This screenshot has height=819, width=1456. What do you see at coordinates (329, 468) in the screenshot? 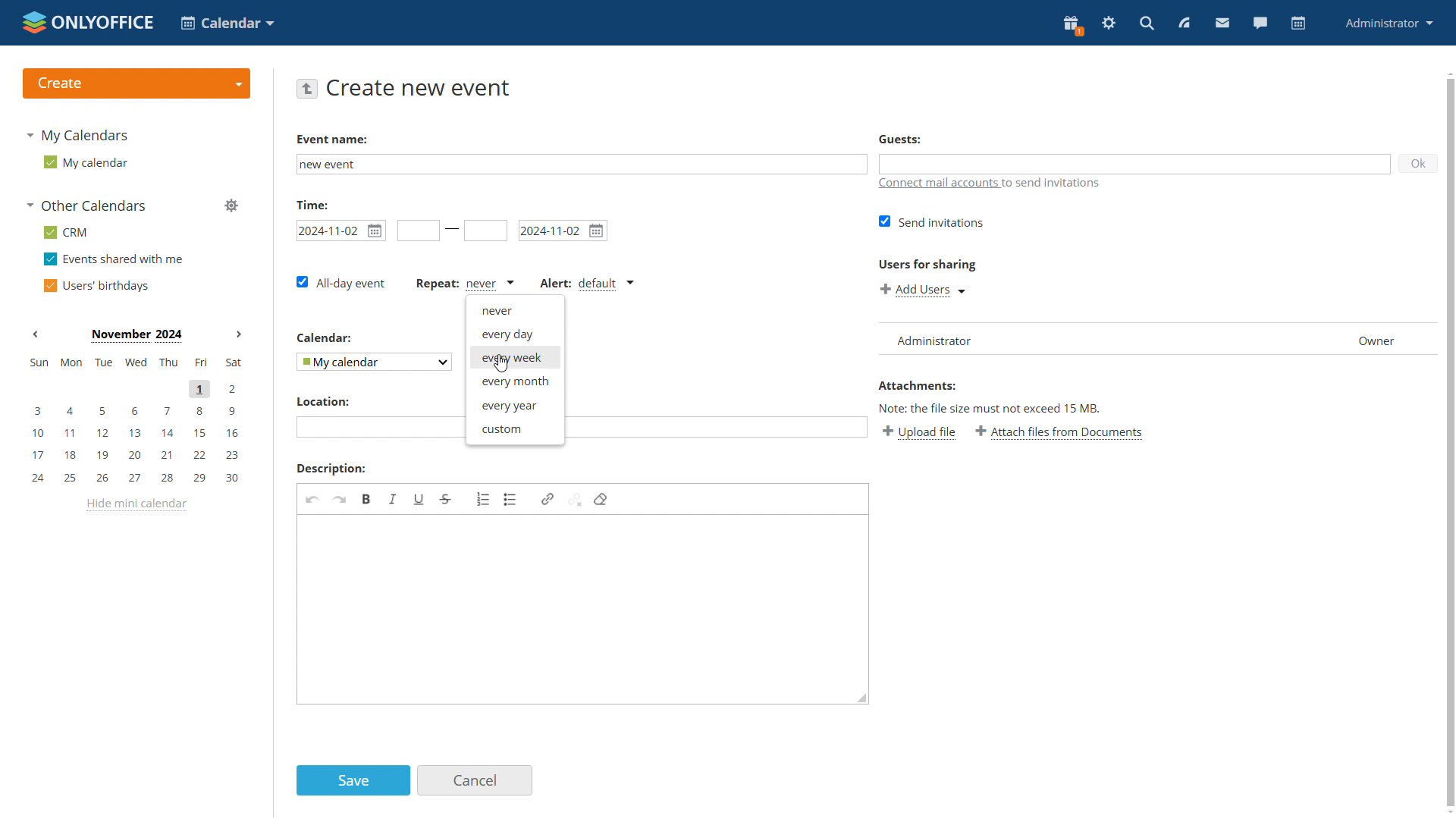
I see `Description` at bounding box center [329, 468].